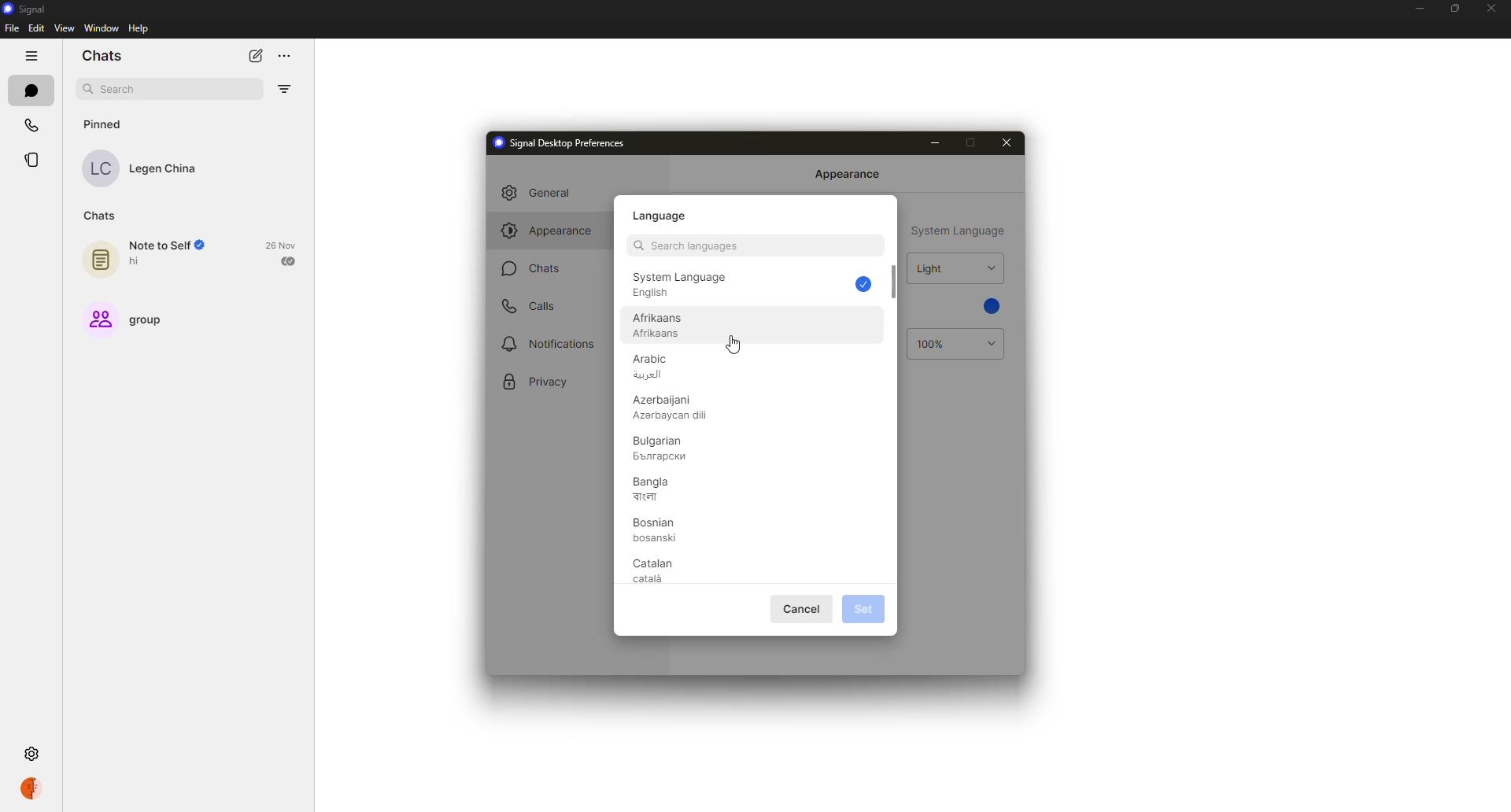 Image resolution: width=1511 pixels, height=812 pixels. I want to click on chats, so click(534, 268).